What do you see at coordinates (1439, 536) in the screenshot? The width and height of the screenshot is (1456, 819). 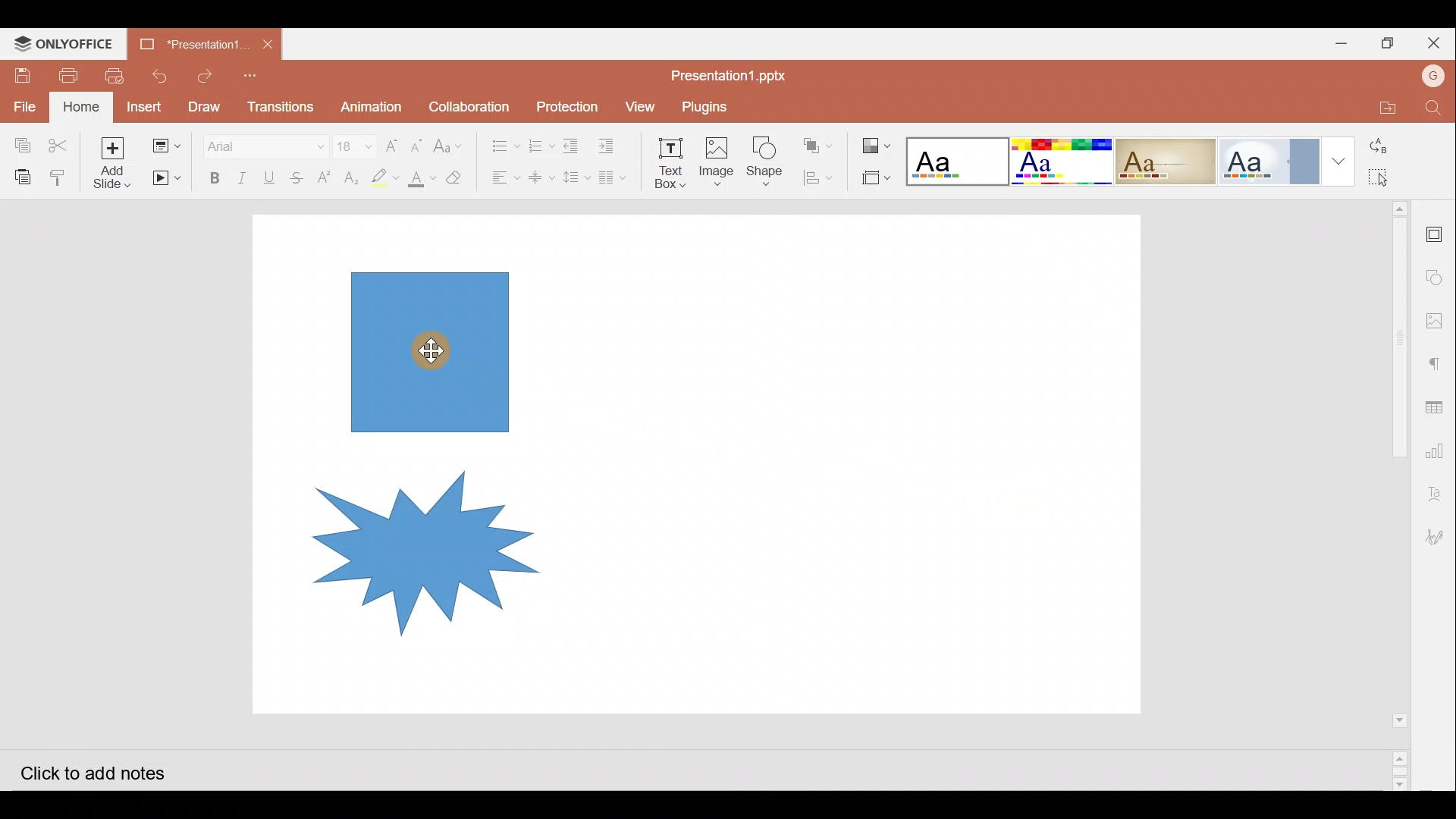 I see `Signature settings` at bounding box center [1439, 536].